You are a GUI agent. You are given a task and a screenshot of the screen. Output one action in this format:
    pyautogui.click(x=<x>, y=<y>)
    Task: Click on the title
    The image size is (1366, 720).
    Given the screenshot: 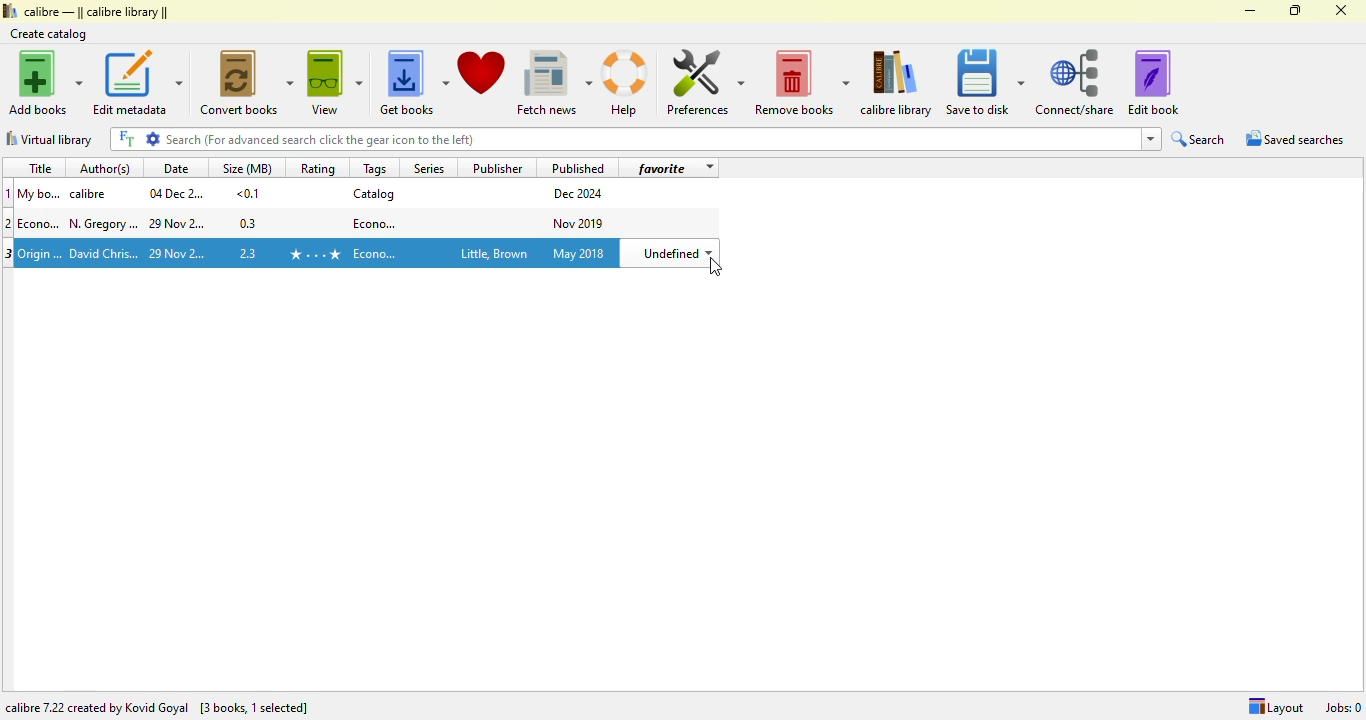 What is the action you would take?
    pyautogui.click(x=41, y=252)
    